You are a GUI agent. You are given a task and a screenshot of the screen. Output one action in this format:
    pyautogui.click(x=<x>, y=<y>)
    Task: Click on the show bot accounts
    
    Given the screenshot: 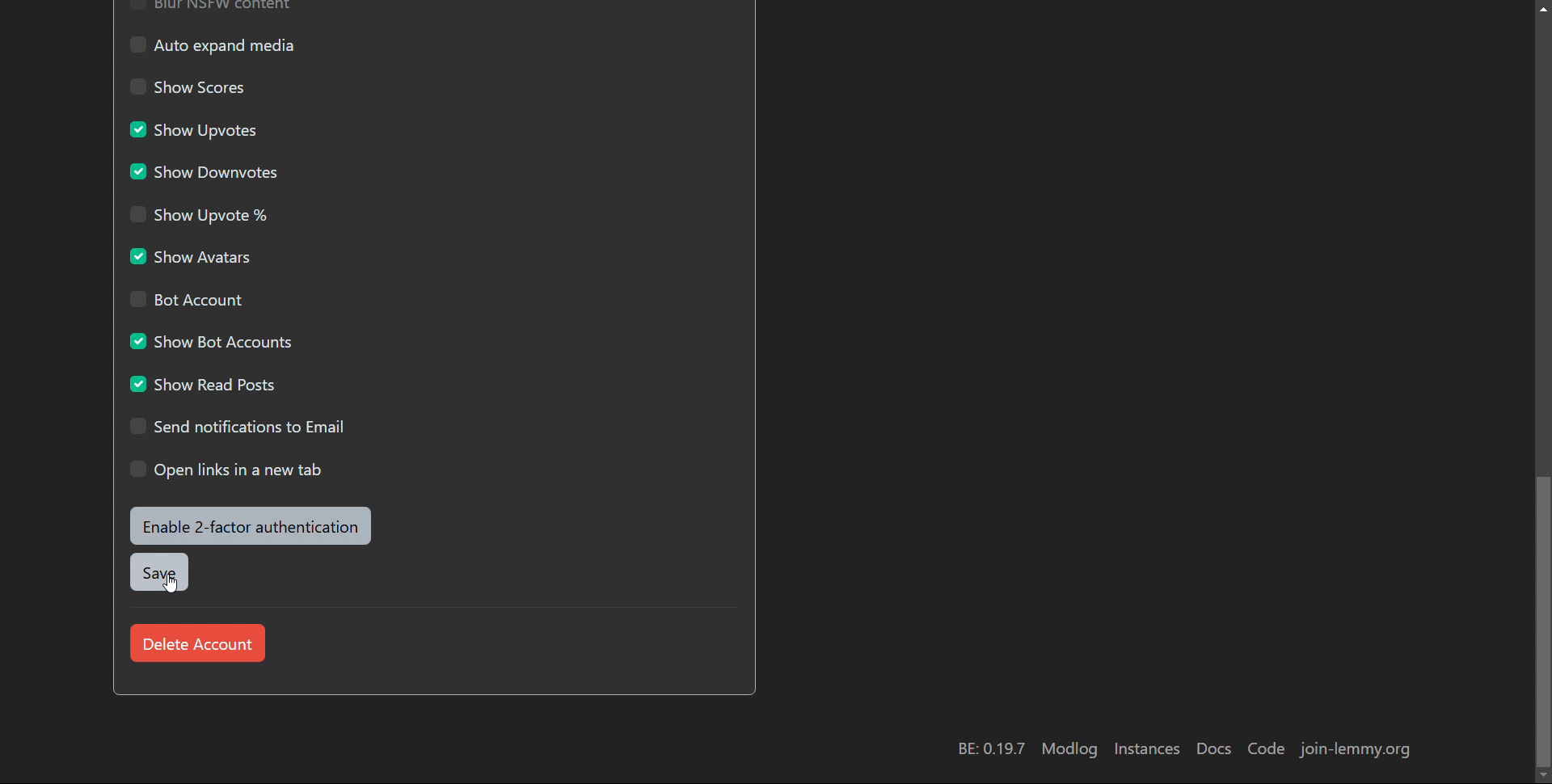 What is the action you would take?
    pyautogui.click(x=215, y=340)
    